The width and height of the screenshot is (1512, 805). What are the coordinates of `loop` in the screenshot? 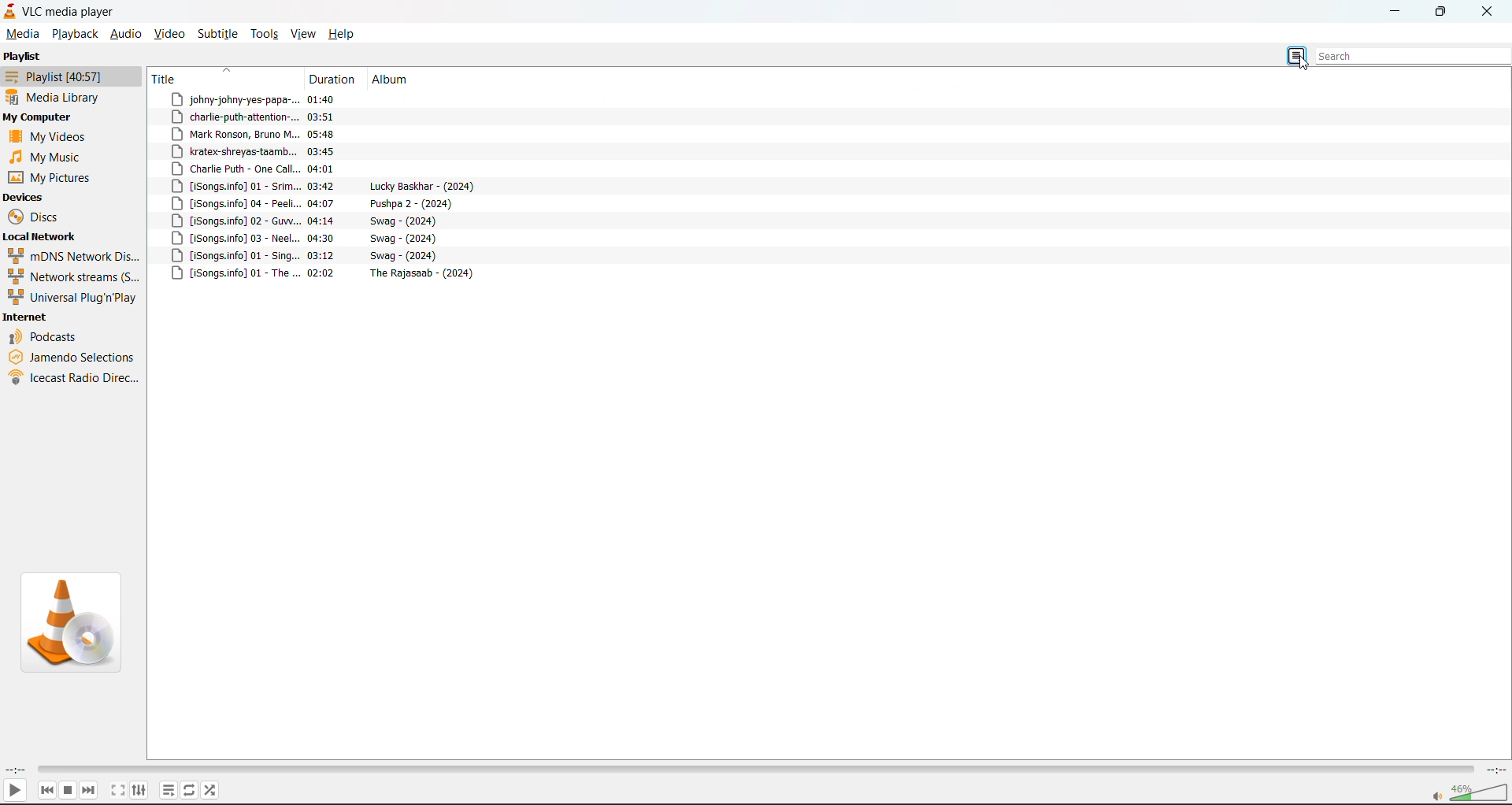 It's located at (187, 791).